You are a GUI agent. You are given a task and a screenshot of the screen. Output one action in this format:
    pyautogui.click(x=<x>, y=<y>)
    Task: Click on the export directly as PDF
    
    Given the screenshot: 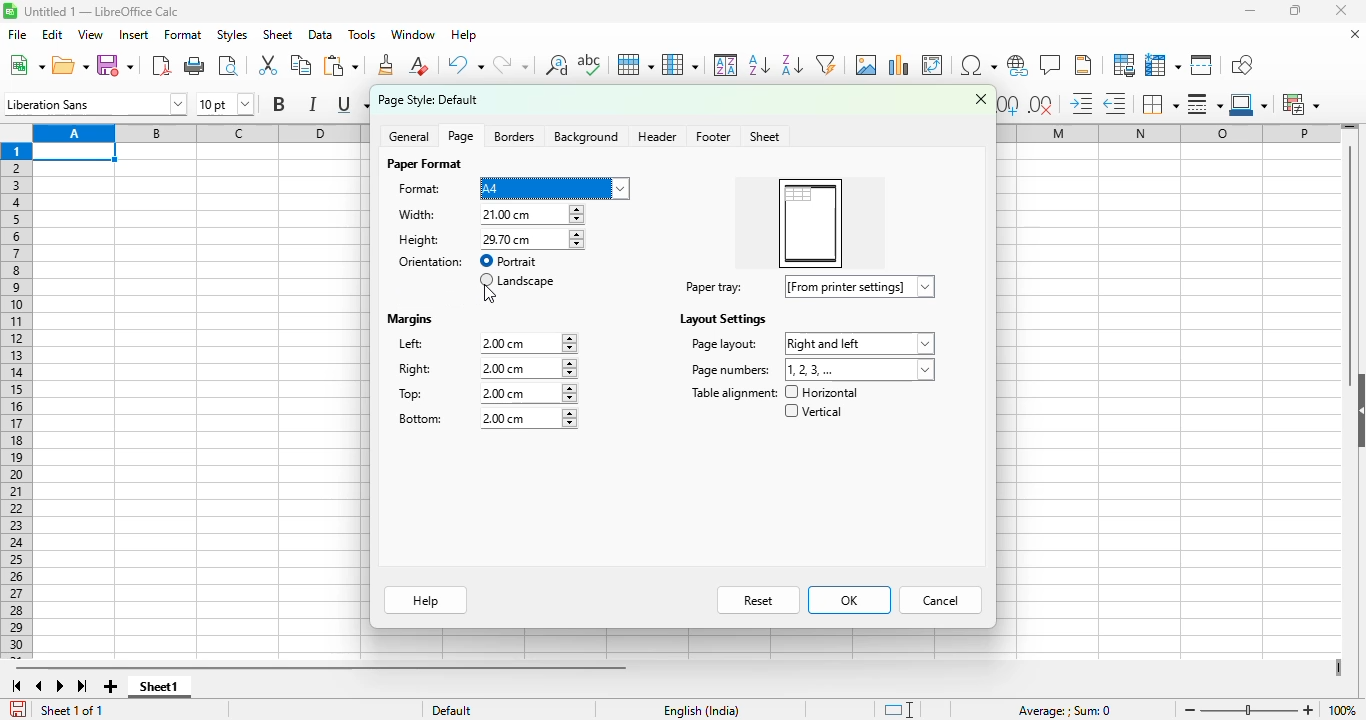 What is the action you would take?
    pyautogui.click(x=162, y=65)
    